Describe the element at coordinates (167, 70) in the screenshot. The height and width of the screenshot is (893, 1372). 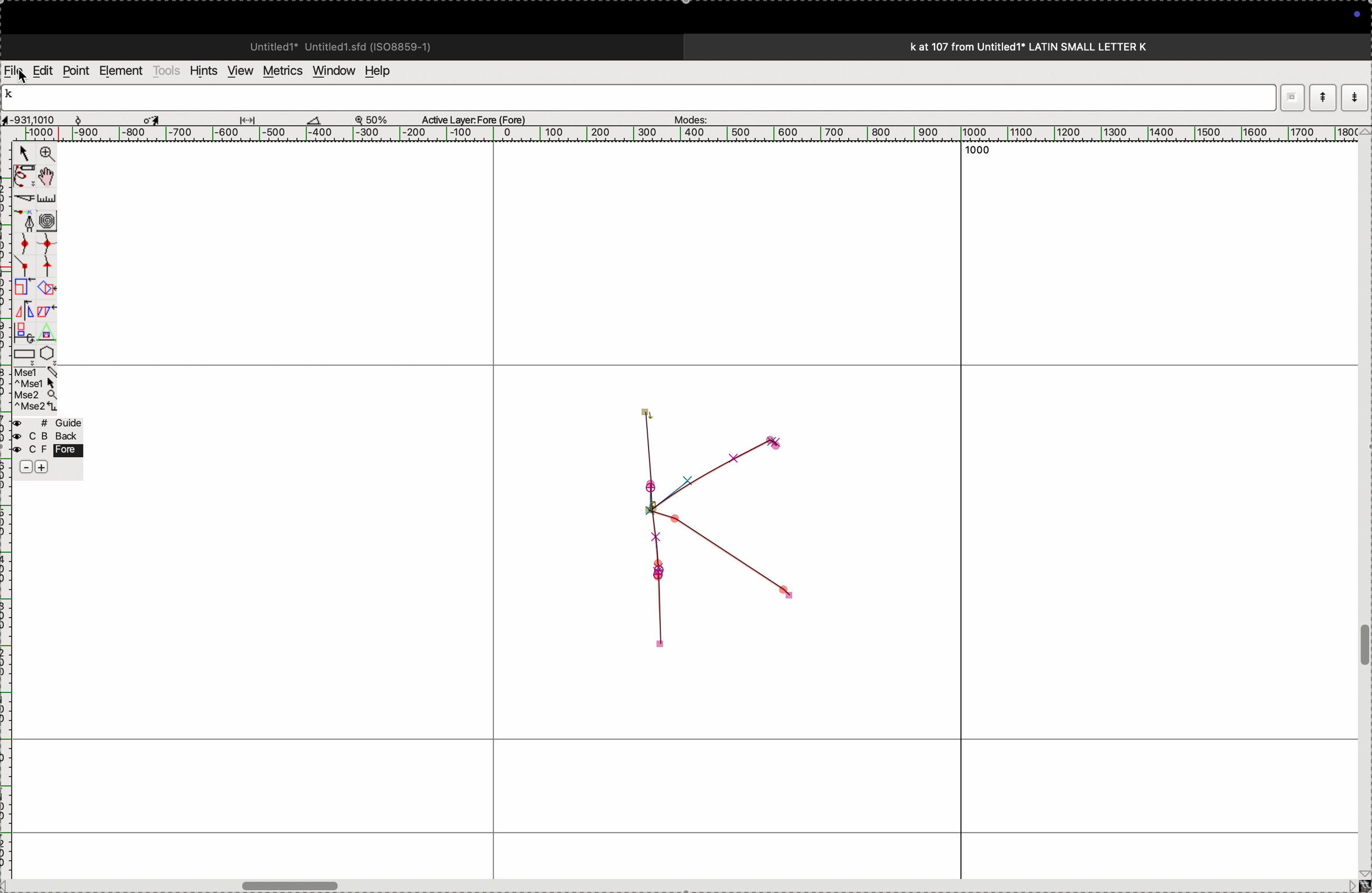
I see `tools` at that location.